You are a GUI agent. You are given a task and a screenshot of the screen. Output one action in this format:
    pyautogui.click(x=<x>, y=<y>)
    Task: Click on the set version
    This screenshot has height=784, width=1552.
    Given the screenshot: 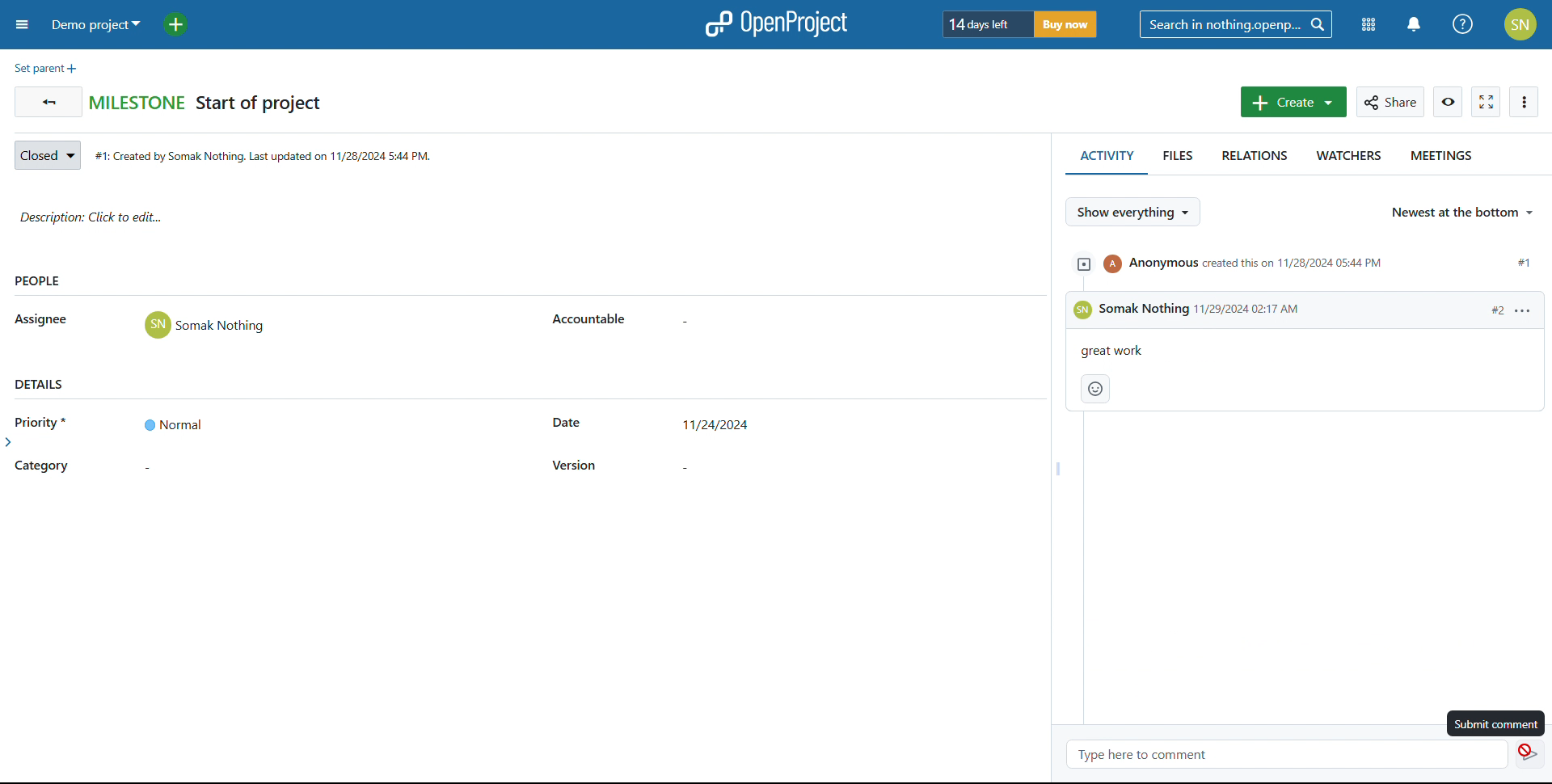 What is the action you would take?
    pyautogui.click(x=718, y=465)
    